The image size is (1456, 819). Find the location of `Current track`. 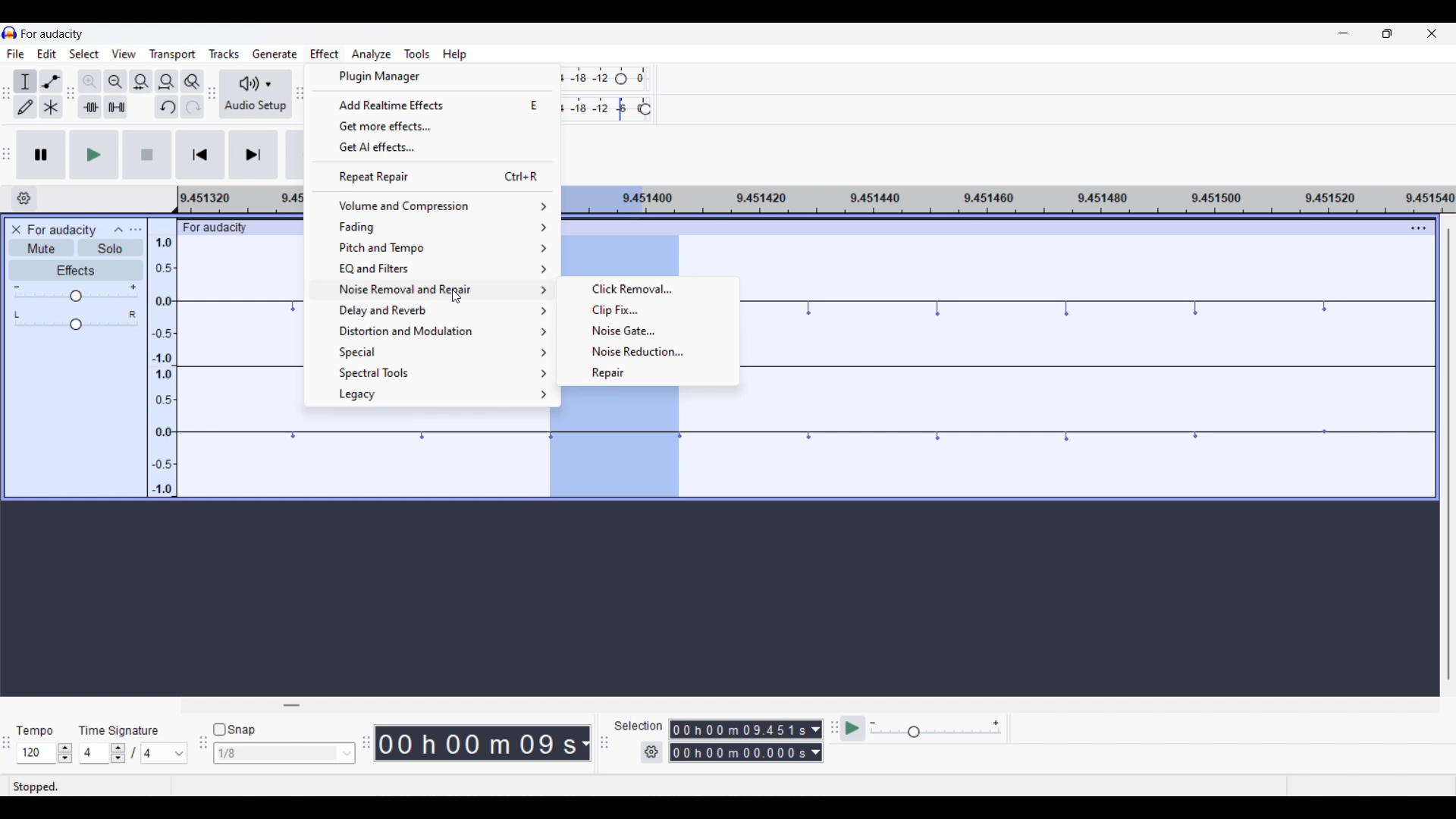

Current track is located at coordinates (241, 366).